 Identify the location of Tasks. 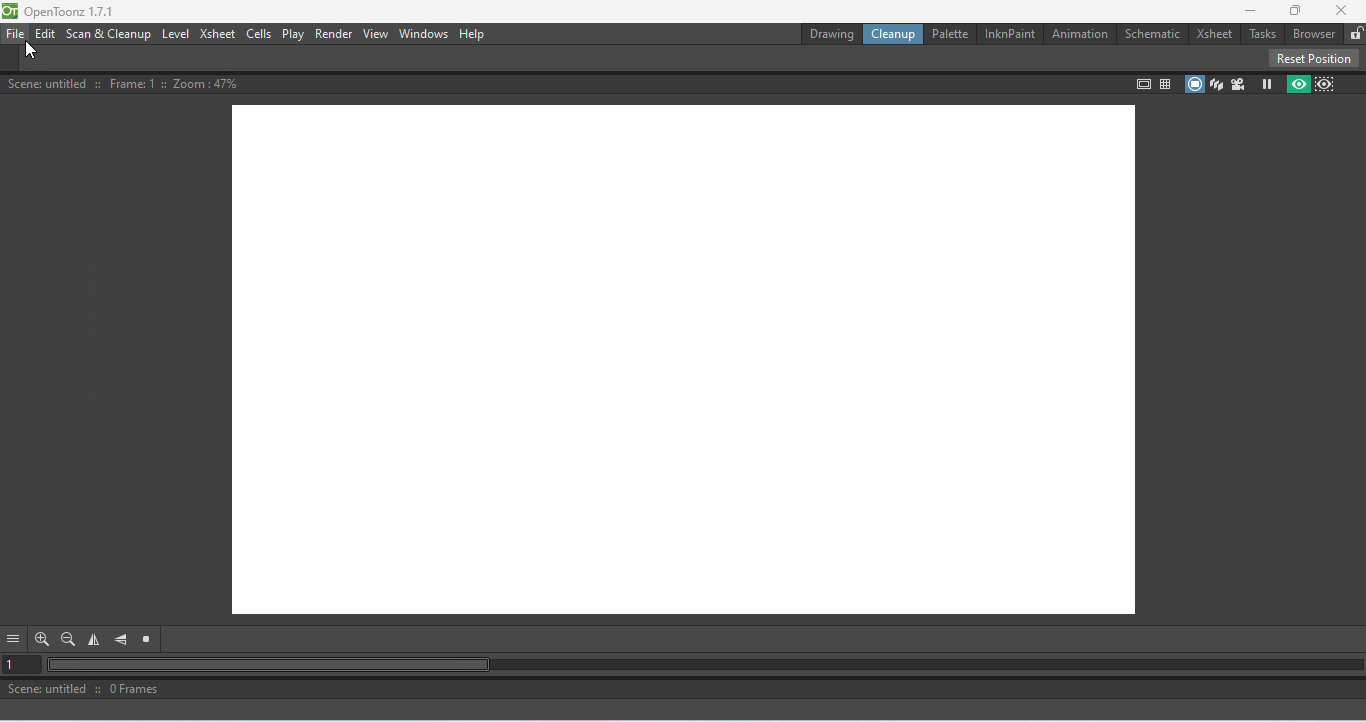
(1262, 33).